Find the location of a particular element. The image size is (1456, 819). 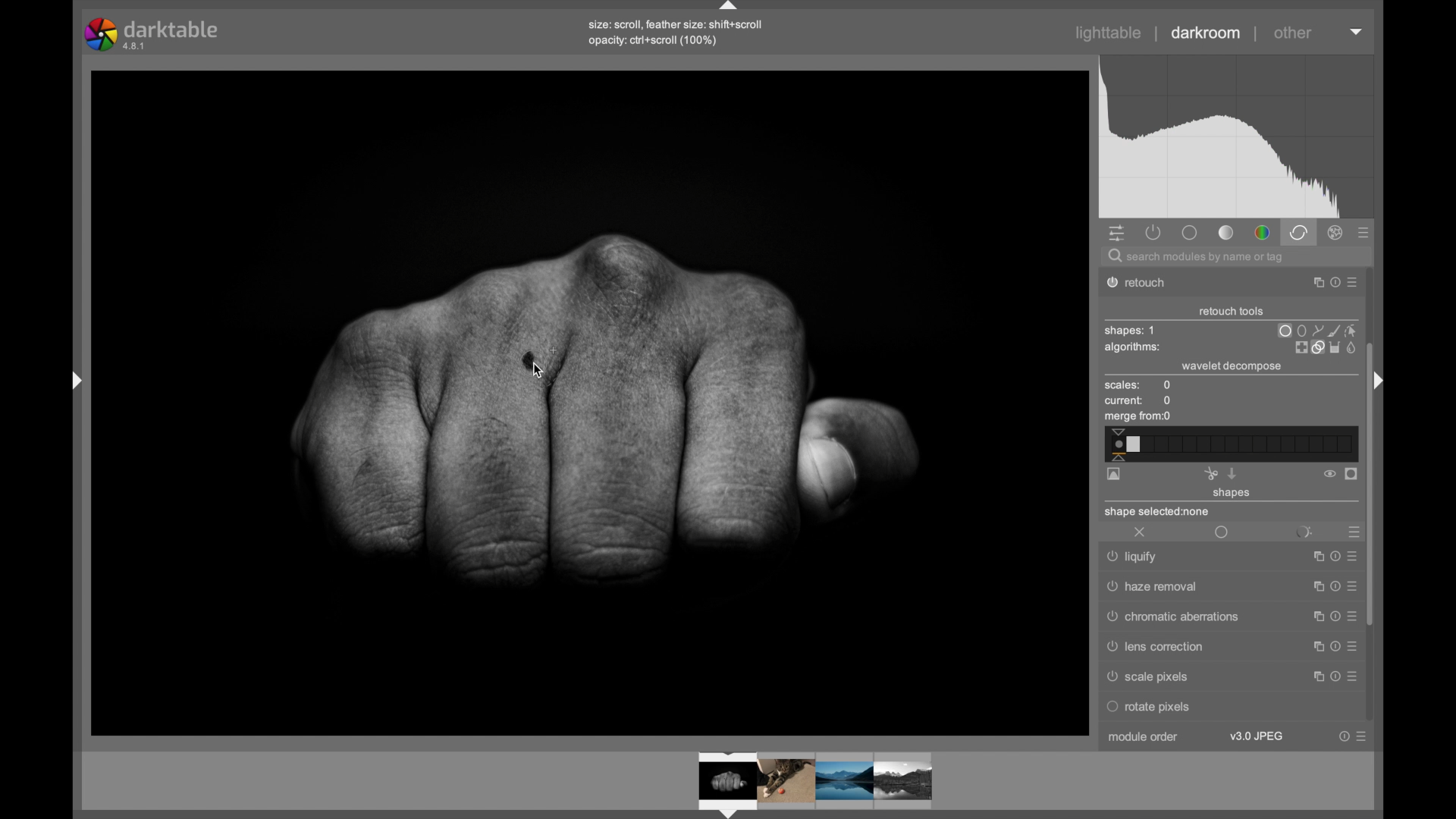

maximize is located at coordinates (1314, 676).